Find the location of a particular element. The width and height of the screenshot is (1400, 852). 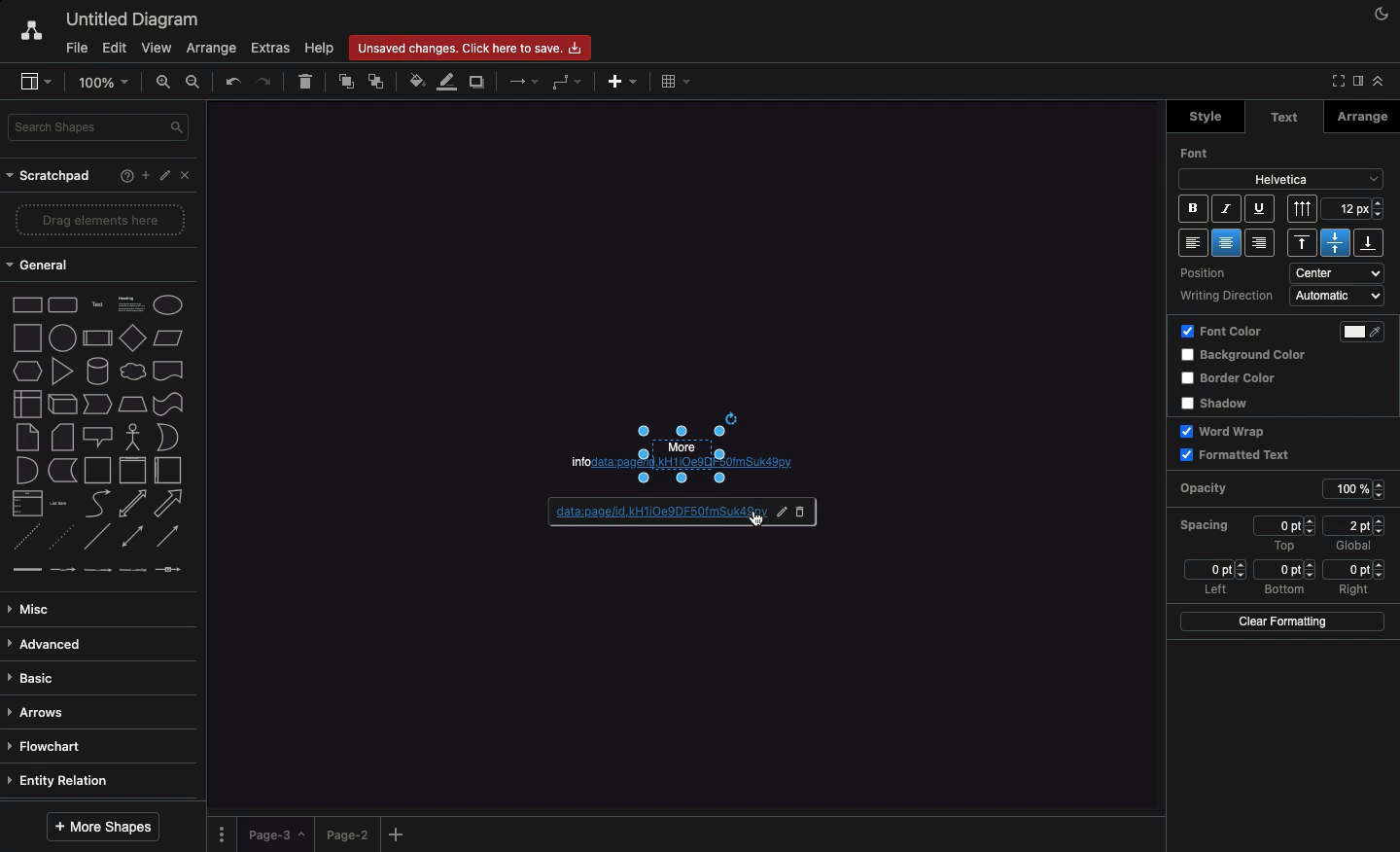

Heading is located at coordinates (133, 302).